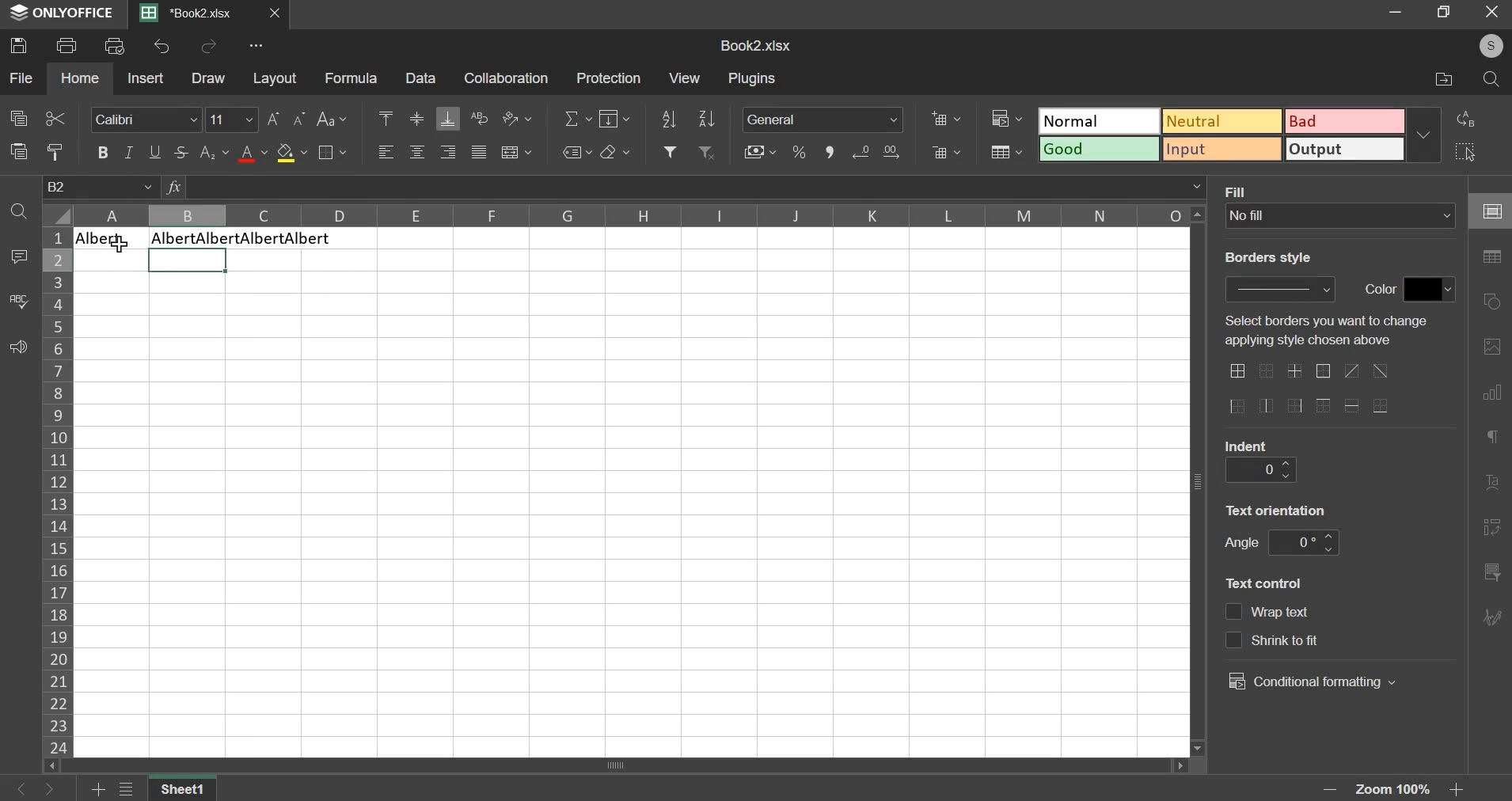 This screenshot has height=801, width=1512. What do you see at coordinates (146, 120) in the screenshot?
I see `font` at bounding box center [146, 120].